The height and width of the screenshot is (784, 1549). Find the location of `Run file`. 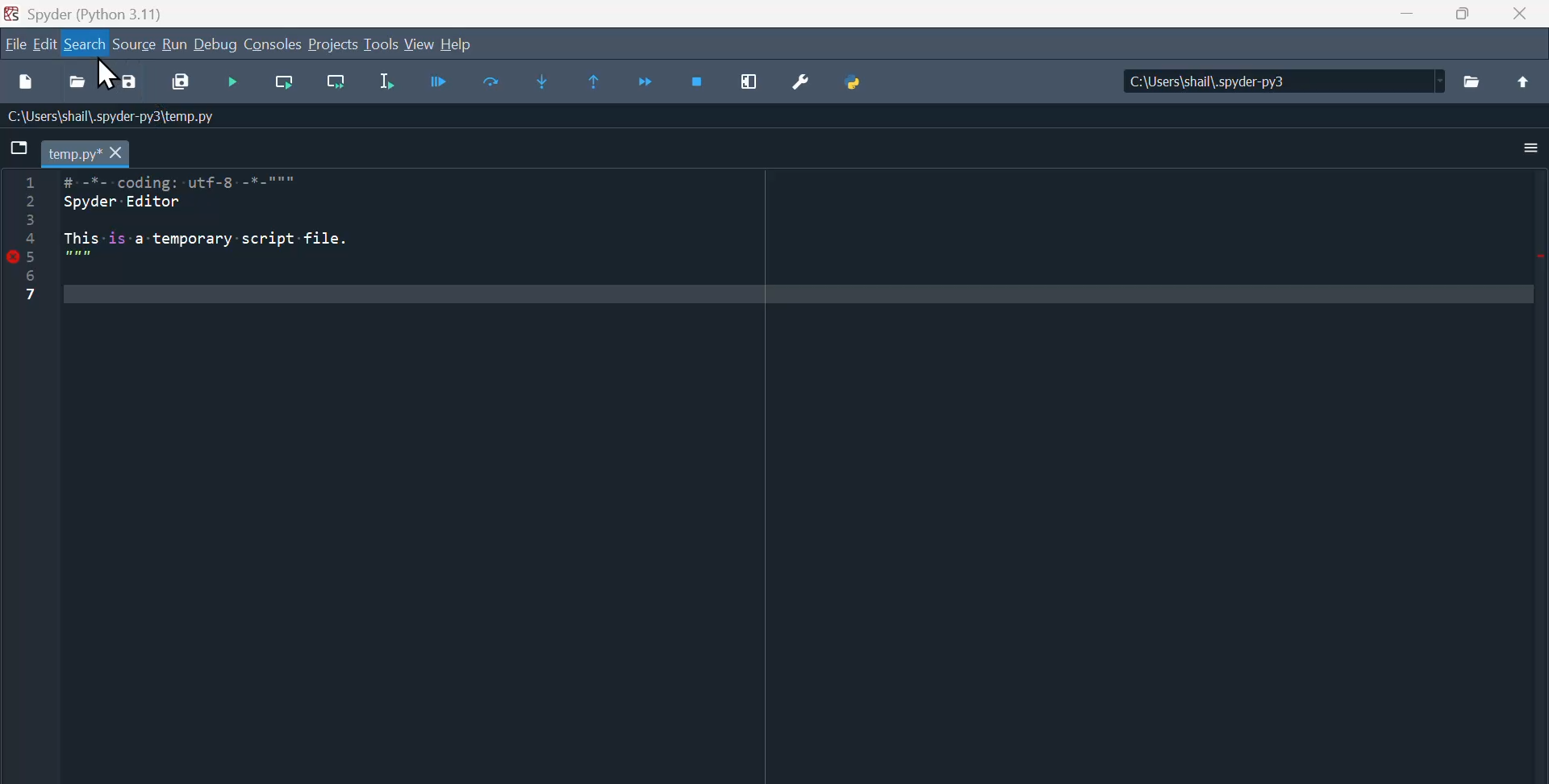

Run file is located at coordinates (436, 85).